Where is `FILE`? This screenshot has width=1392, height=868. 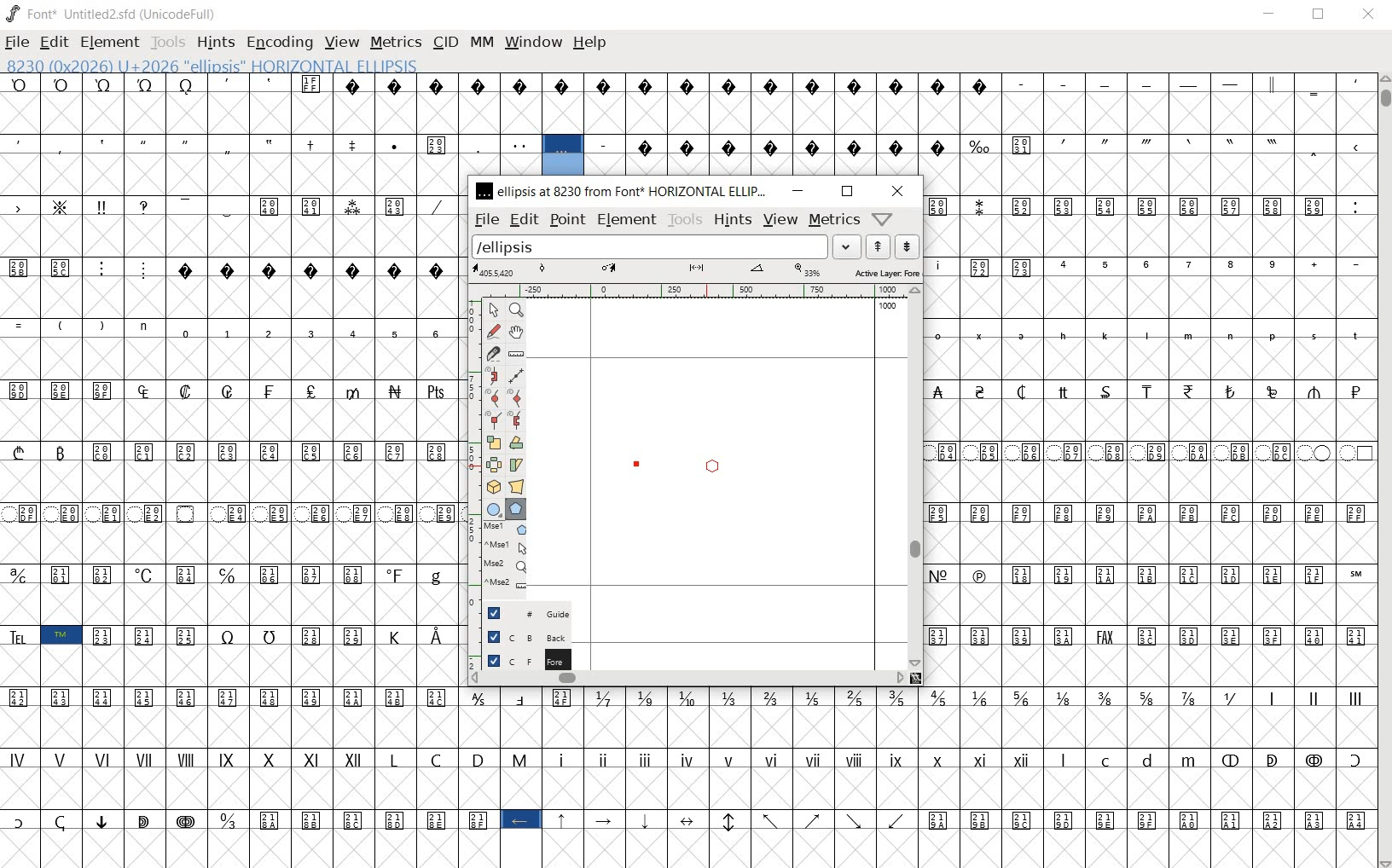 FILE is located at coordinates (17, 42).